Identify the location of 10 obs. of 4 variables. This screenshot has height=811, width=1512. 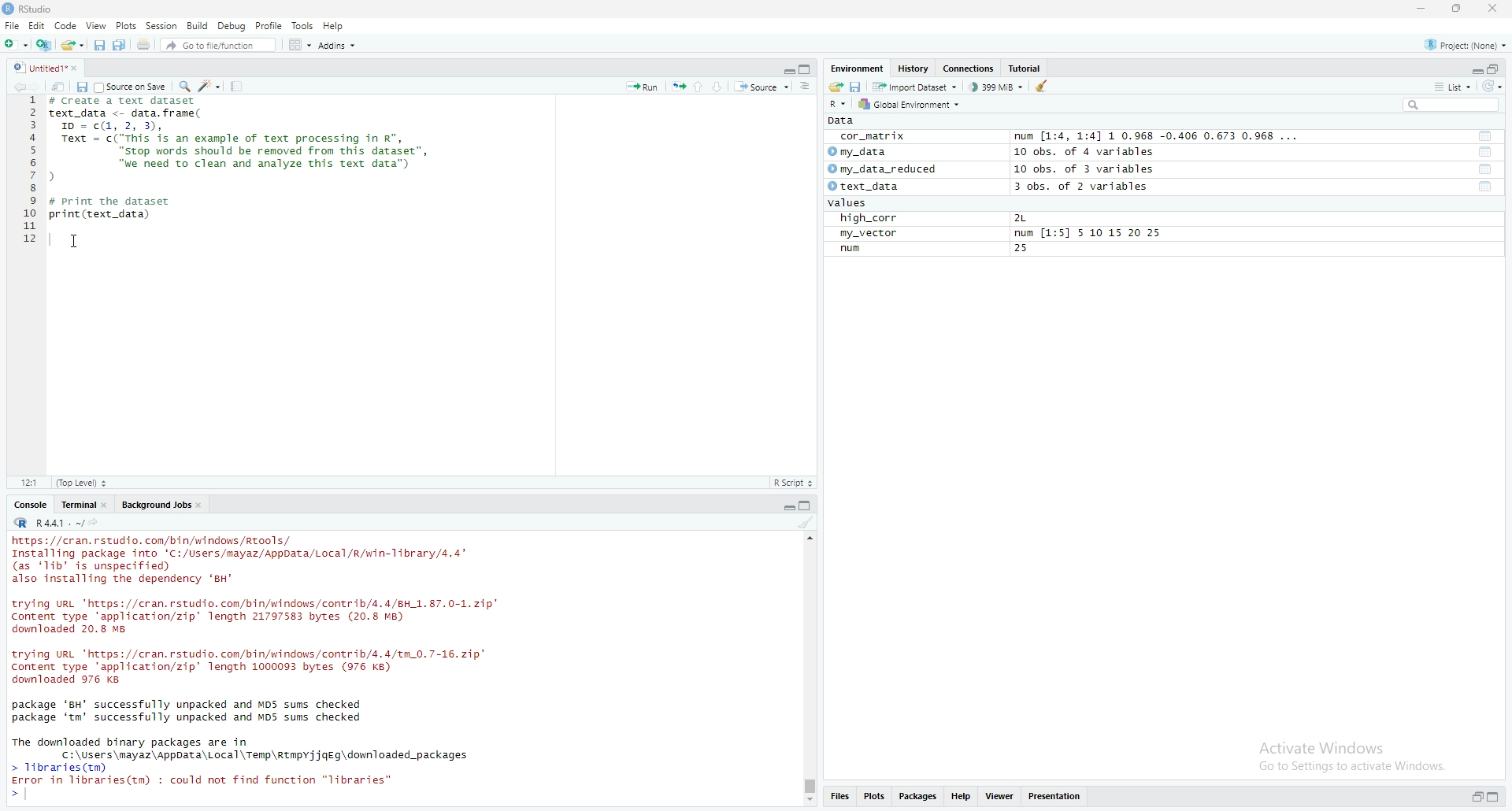
(1084, 152).